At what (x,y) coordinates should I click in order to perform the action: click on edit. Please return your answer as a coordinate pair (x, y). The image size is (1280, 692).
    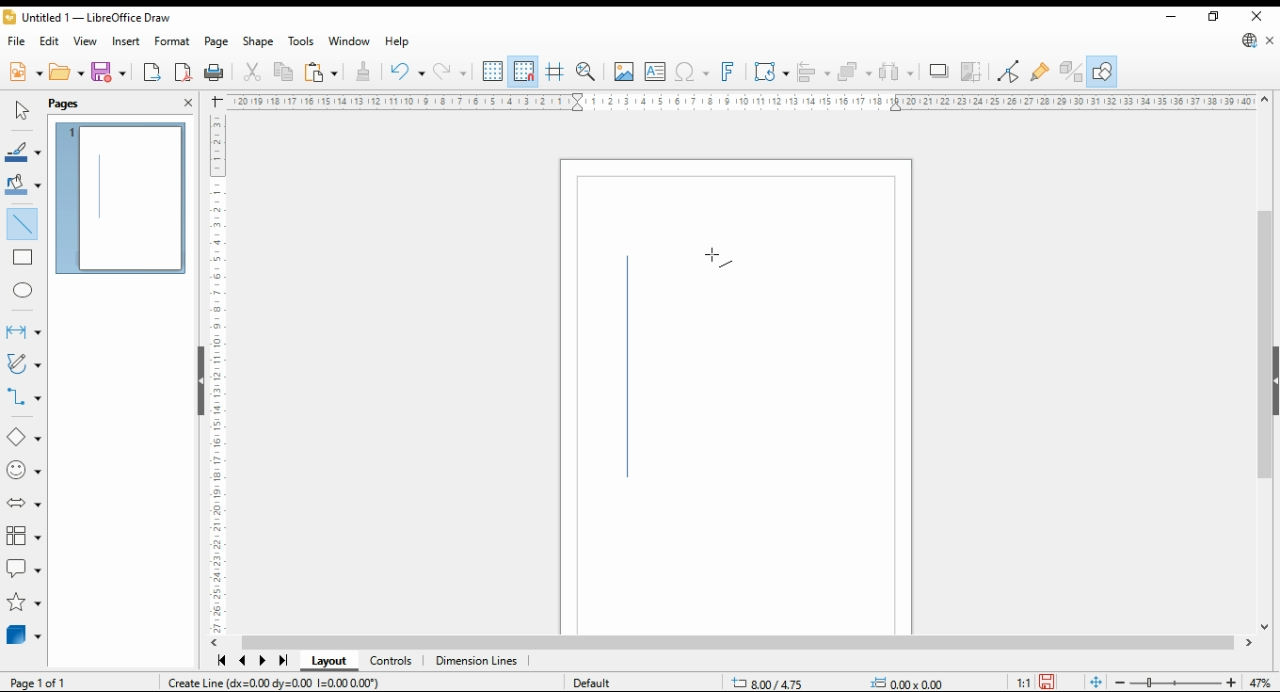
    Looking at the image, I should click on (50, 40).